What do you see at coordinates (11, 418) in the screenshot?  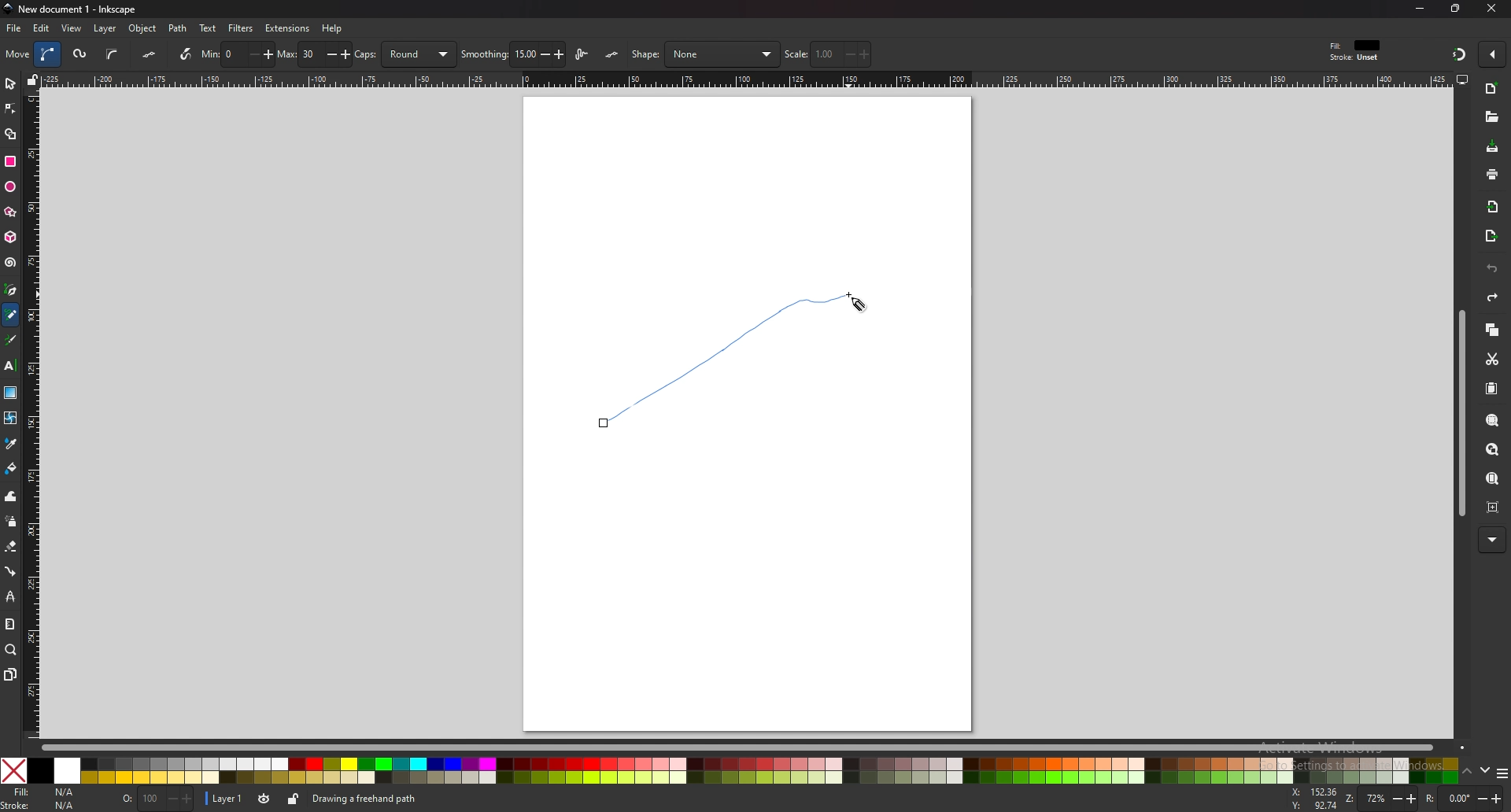 I see `mesh` at bounding box center [11, 418].